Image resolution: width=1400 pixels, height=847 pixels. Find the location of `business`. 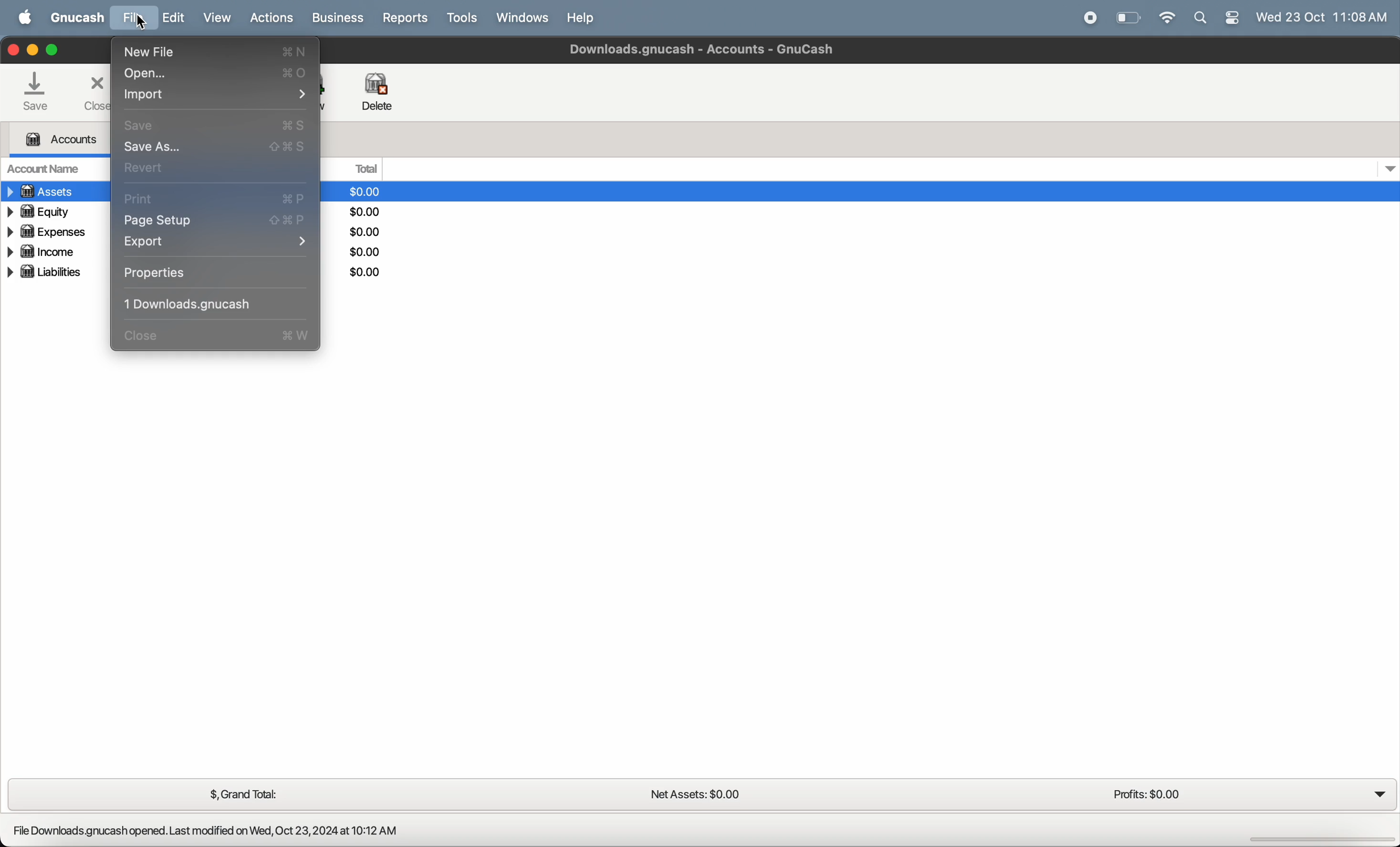

business is located at coordinates (335, 18).